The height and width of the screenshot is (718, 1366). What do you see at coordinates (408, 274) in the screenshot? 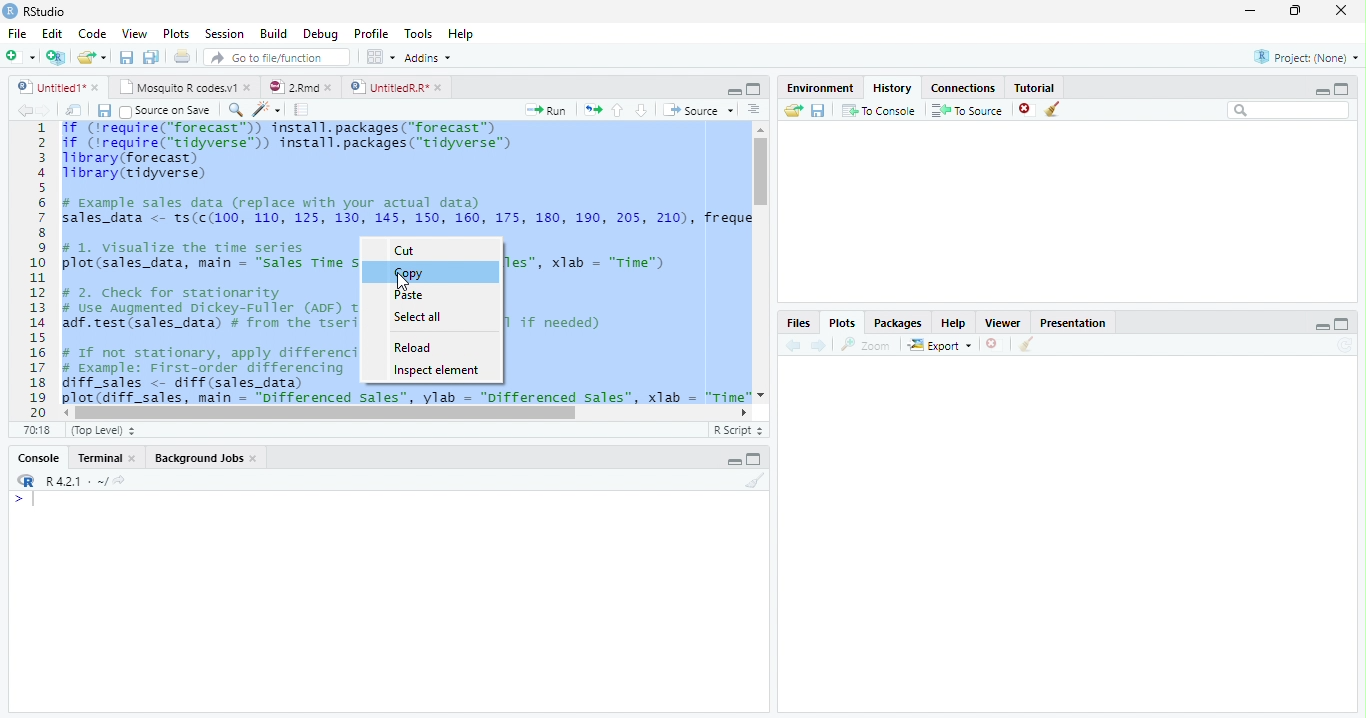
I see `Copy` at bounding box center [408, 274].